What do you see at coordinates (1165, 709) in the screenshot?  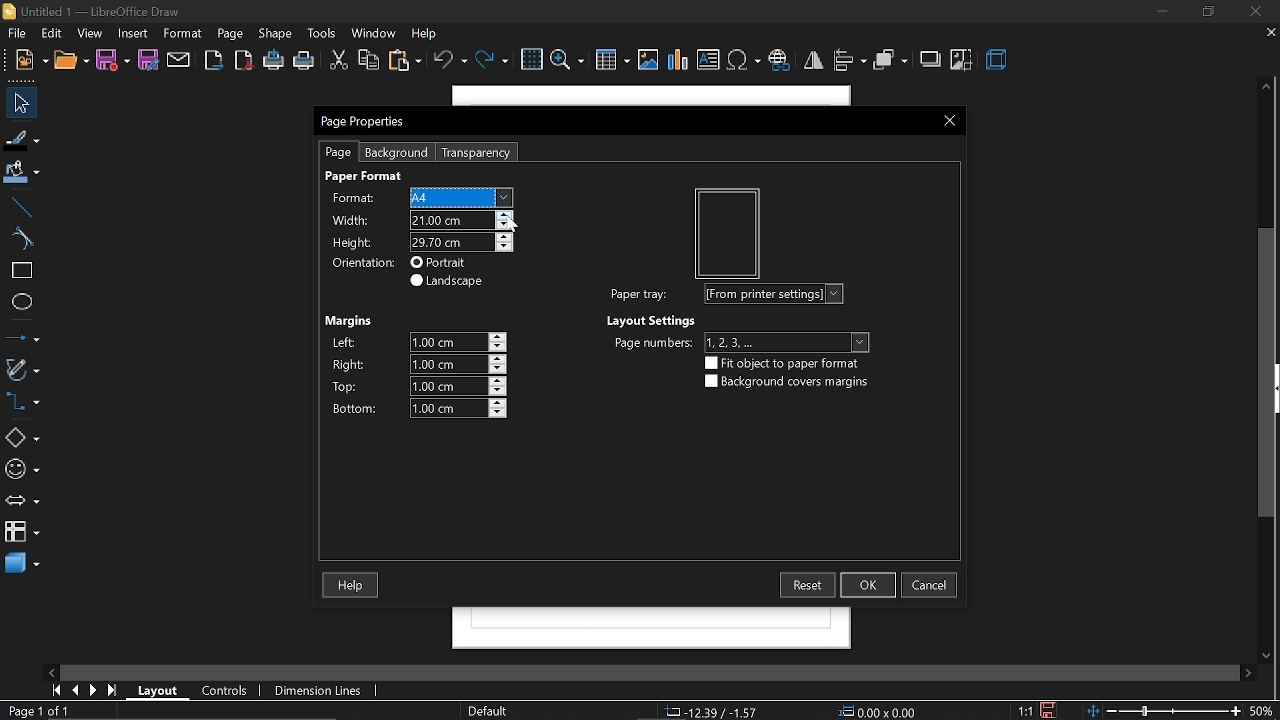 I see `change zoom` at bounding box center [1165, 709].